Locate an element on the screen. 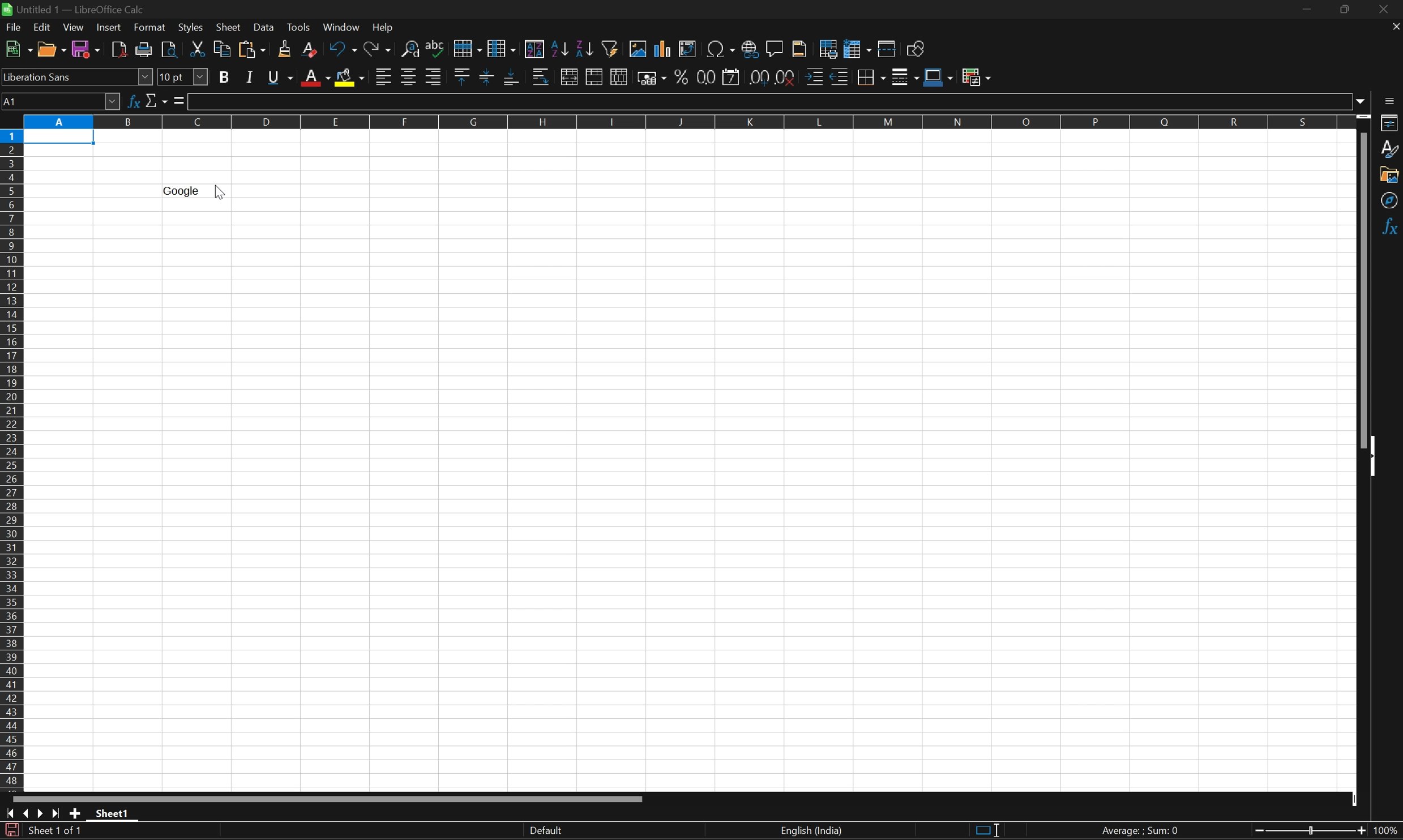  Sort descending is located at coordinates (586, 49).